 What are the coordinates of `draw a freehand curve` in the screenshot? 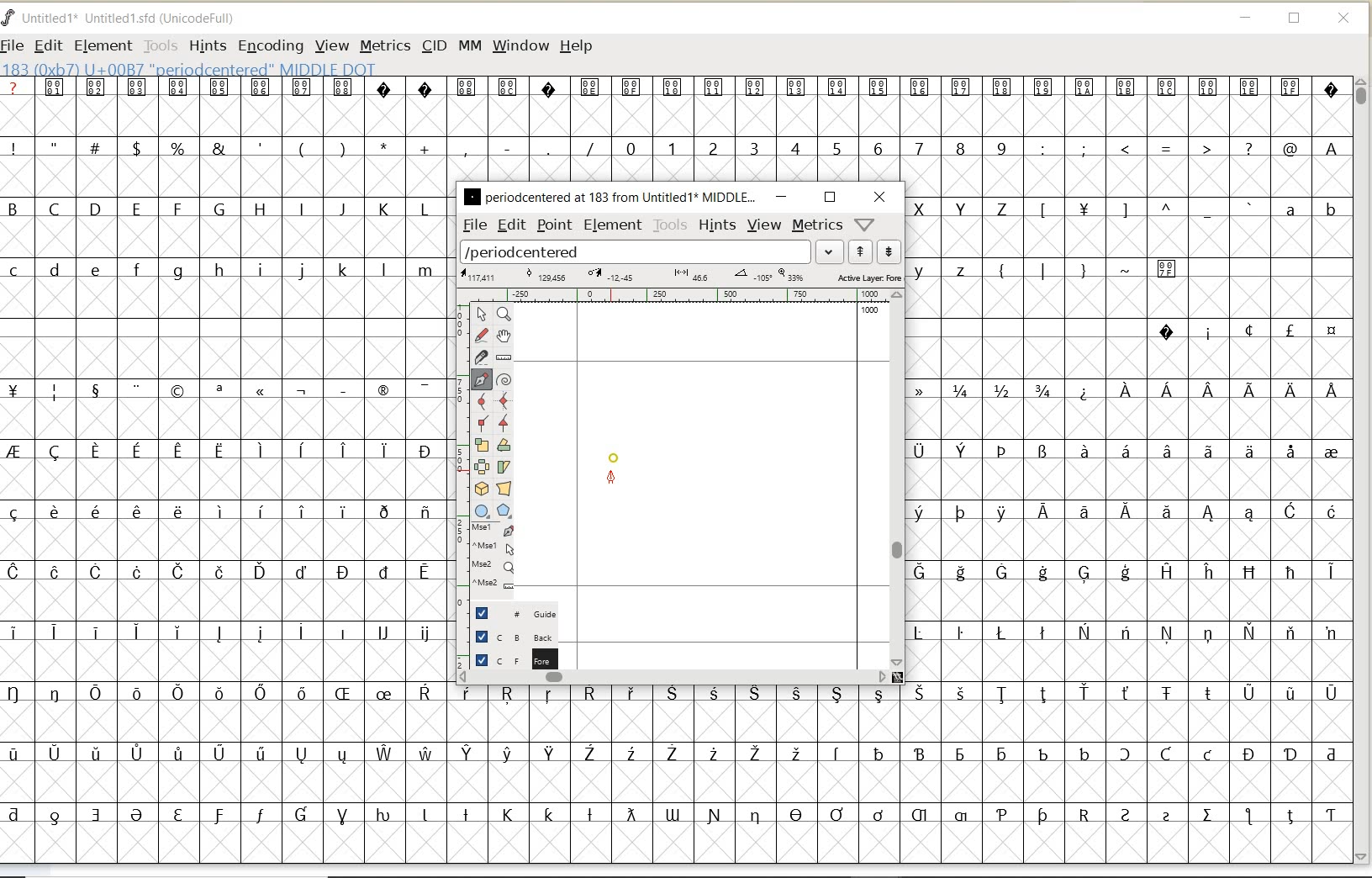 It's located at (481, 333).